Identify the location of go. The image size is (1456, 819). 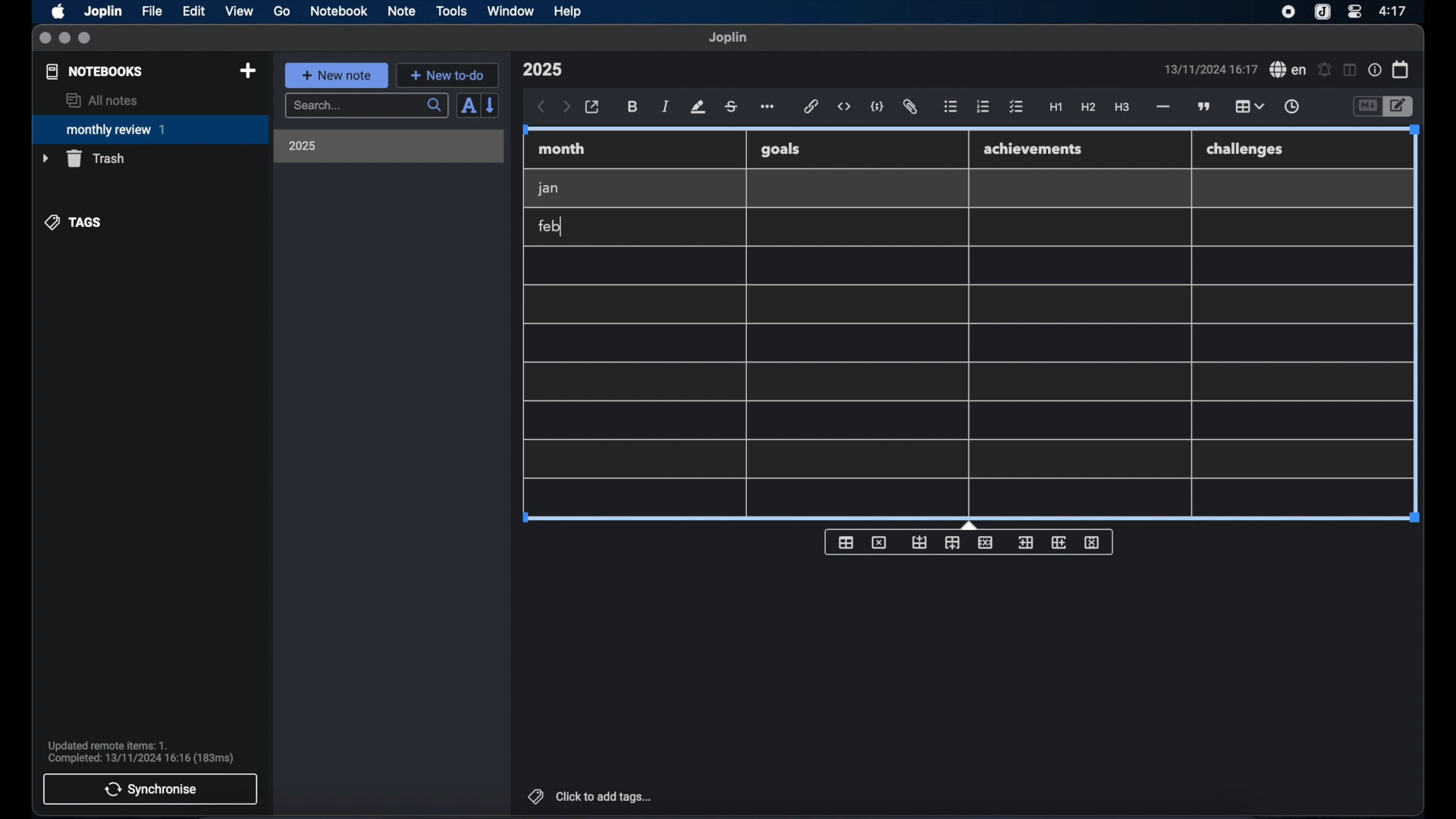
(282, 11).